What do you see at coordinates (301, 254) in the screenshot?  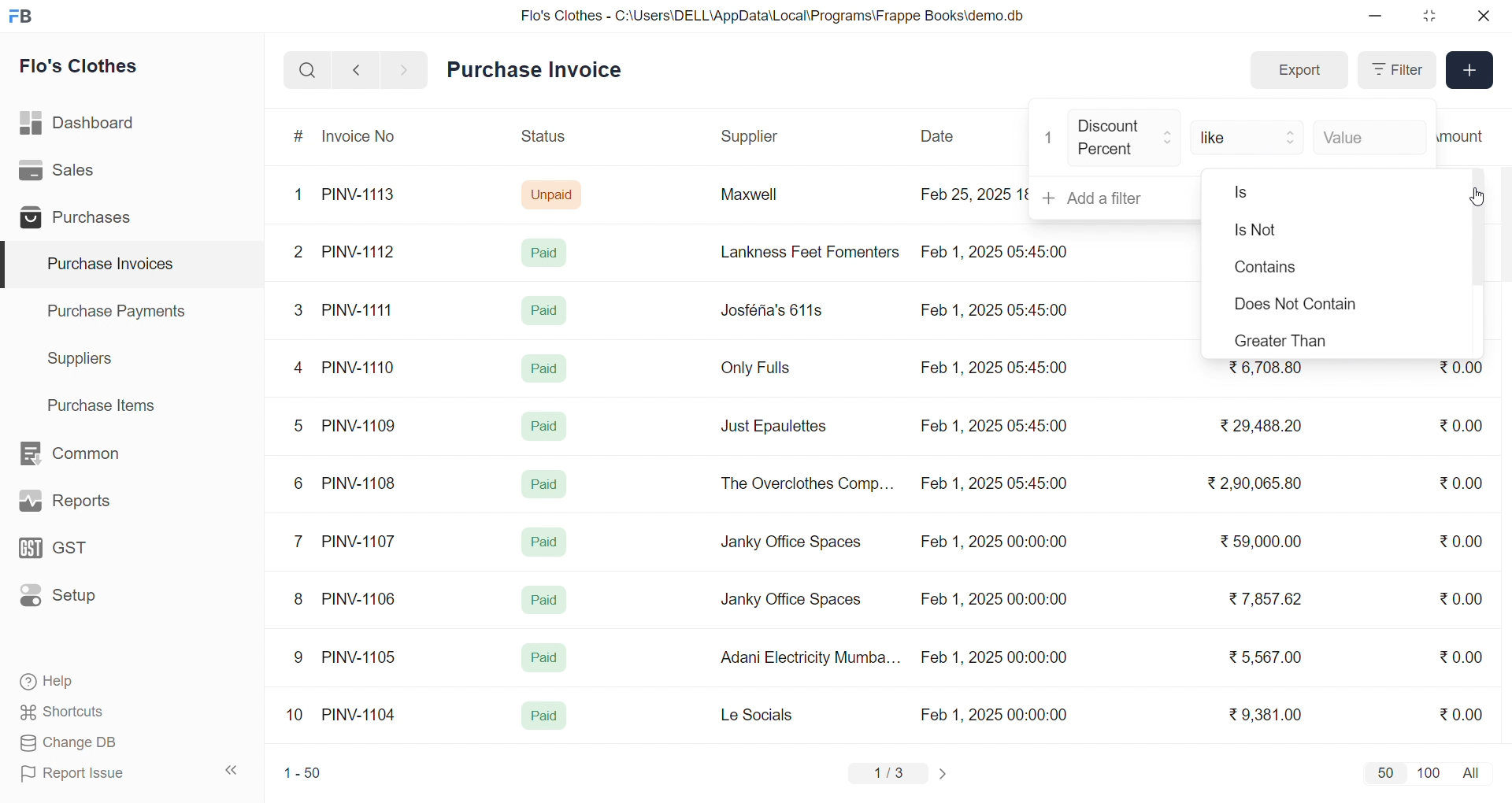 I see `2` at bounding box center [301, 254].